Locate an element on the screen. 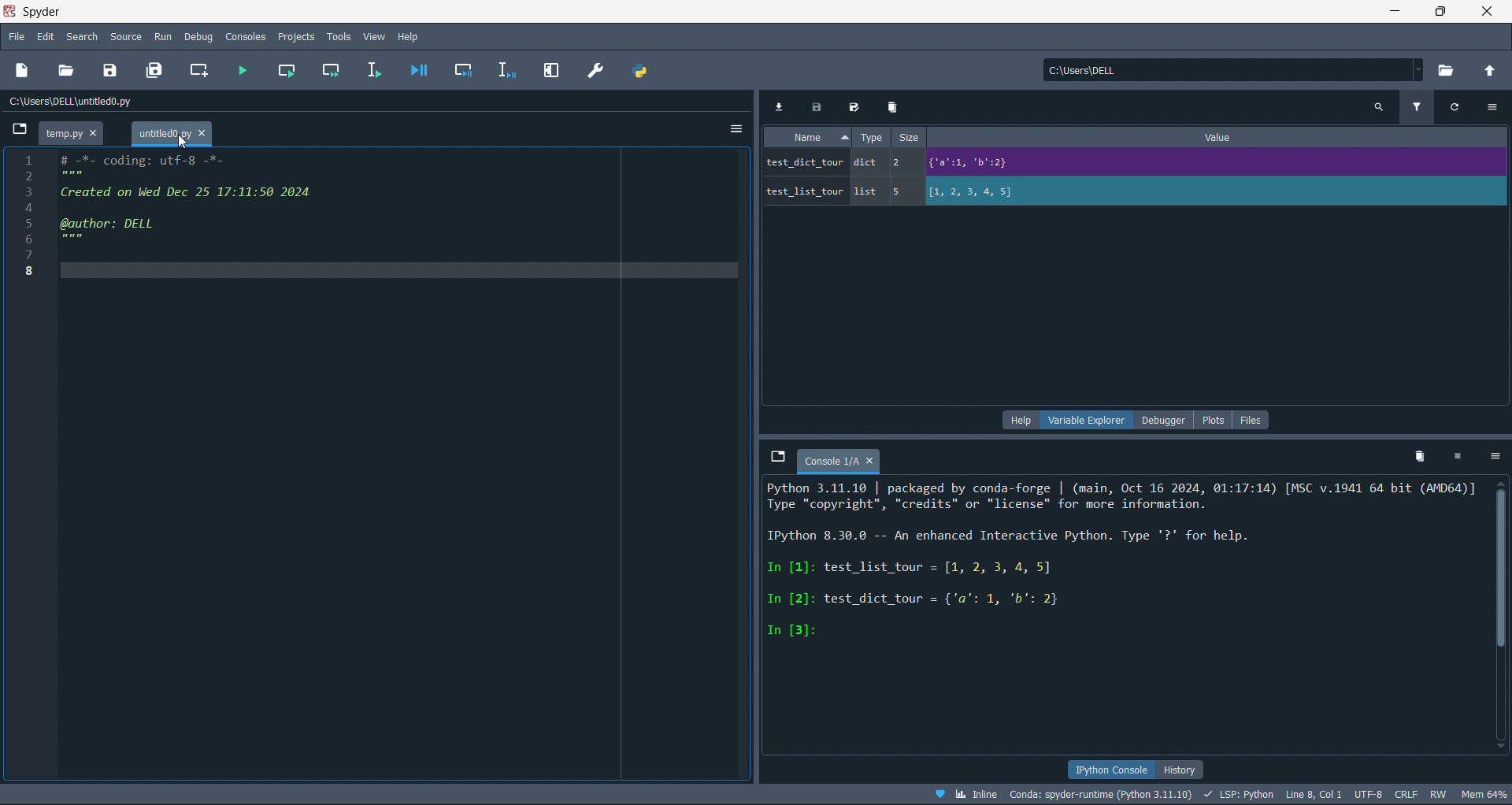 This screenshot has width=1512, height=805. debug cell is located at coordinates (458, 69).